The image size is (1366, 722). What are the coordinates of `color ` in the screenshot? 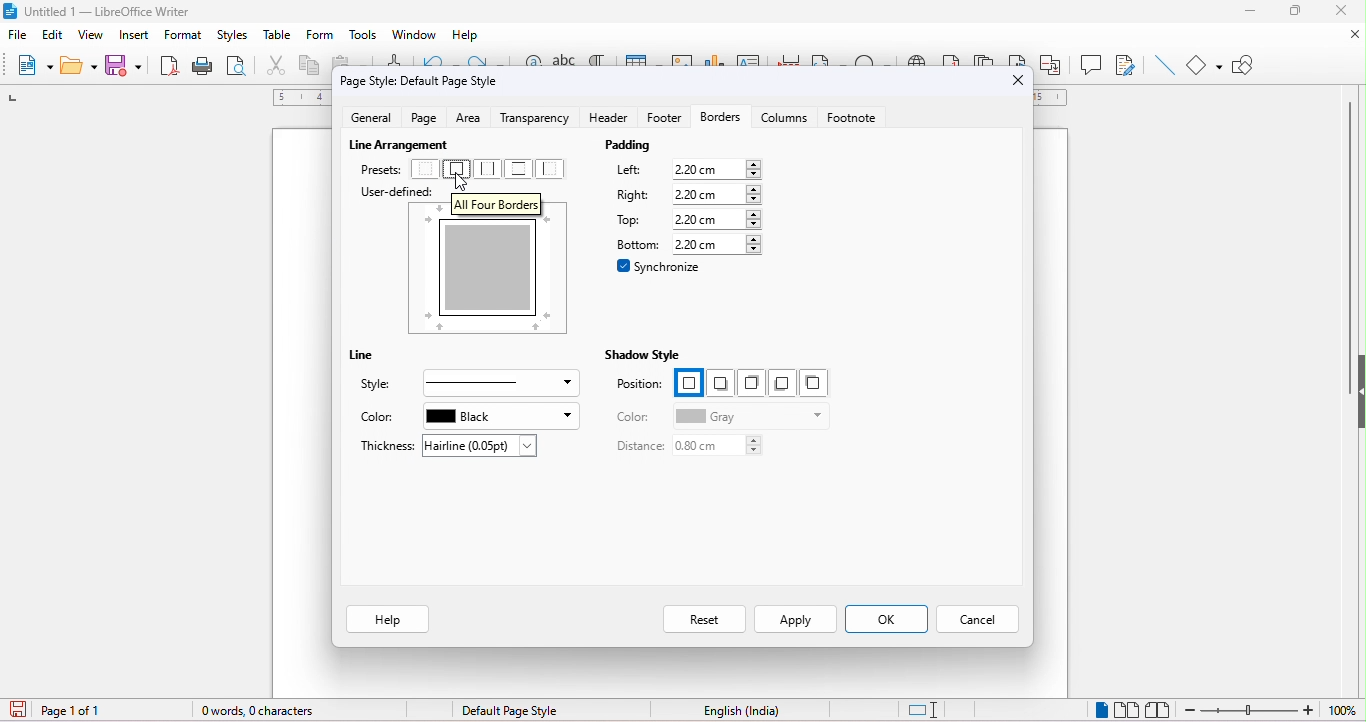 It's located at (380, 417).